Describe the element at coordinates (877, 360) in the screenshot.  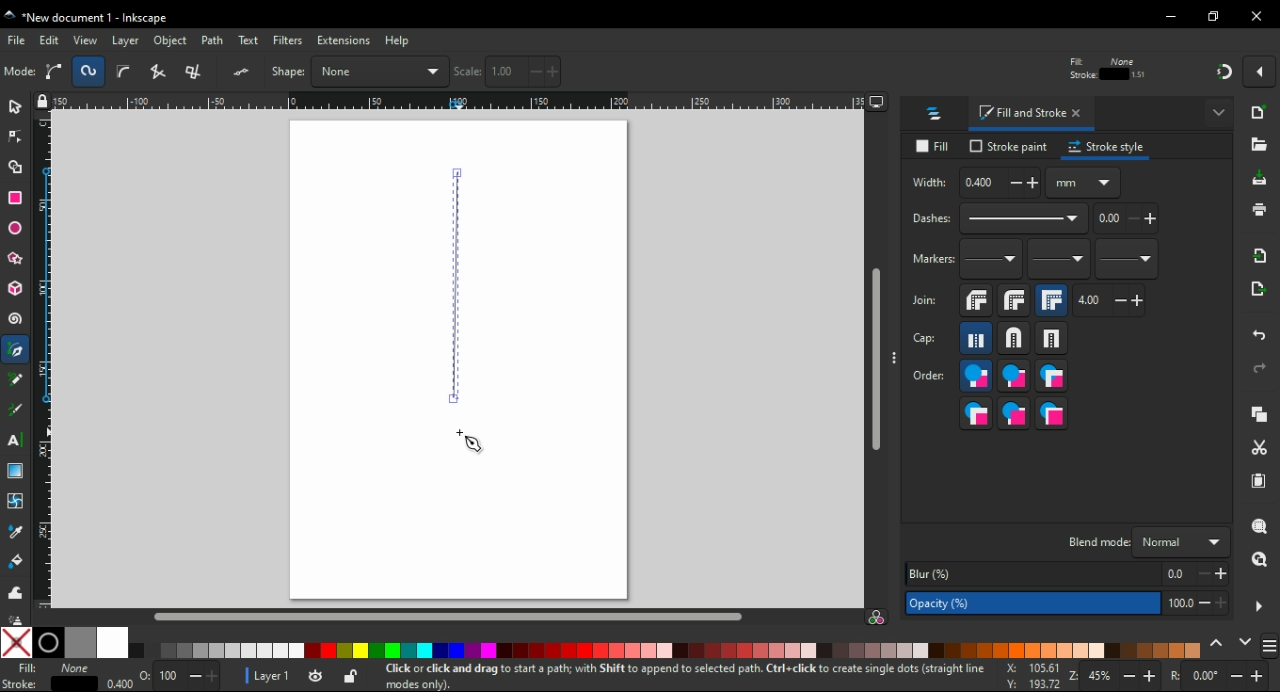
I see `scroll bar` at that location.